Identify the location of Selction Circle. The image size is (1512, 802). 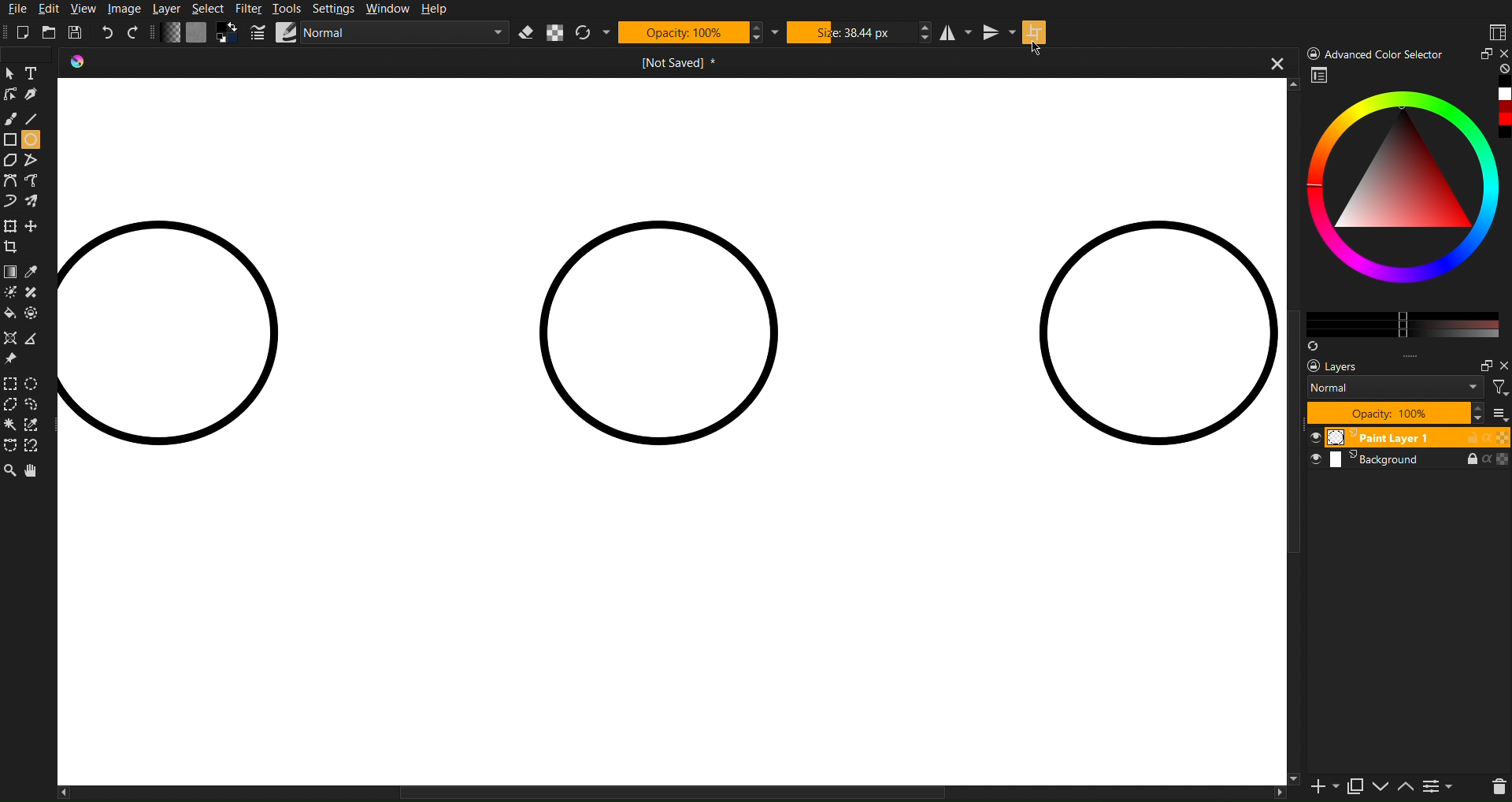
(31, 381).